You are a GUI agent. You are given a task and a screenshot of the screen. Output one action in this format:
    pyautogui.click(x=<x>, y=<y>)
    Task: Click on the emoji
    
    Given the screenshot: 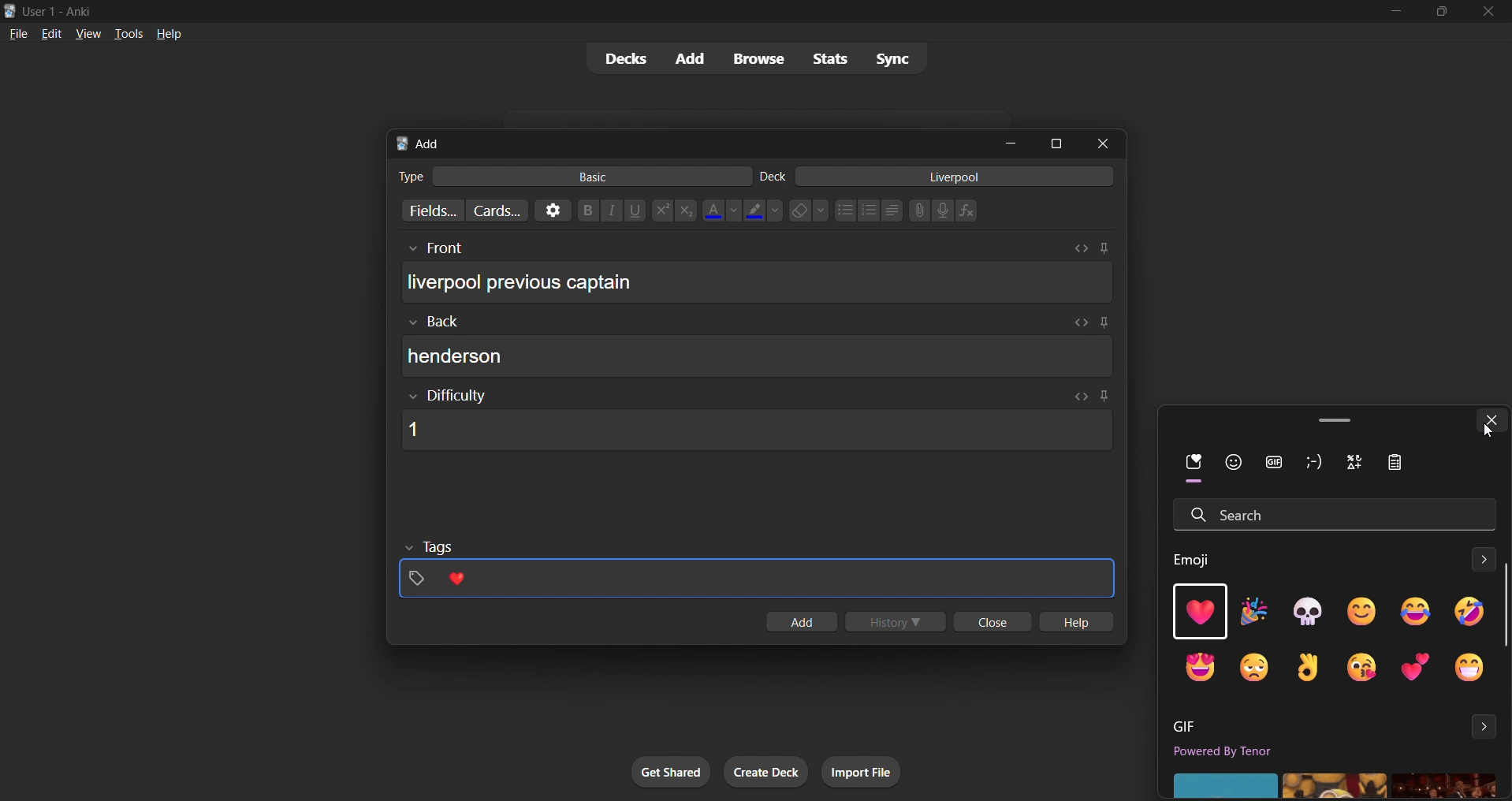 What is the action you would take?
    pyautogui.click(x=1413, y=667)
    